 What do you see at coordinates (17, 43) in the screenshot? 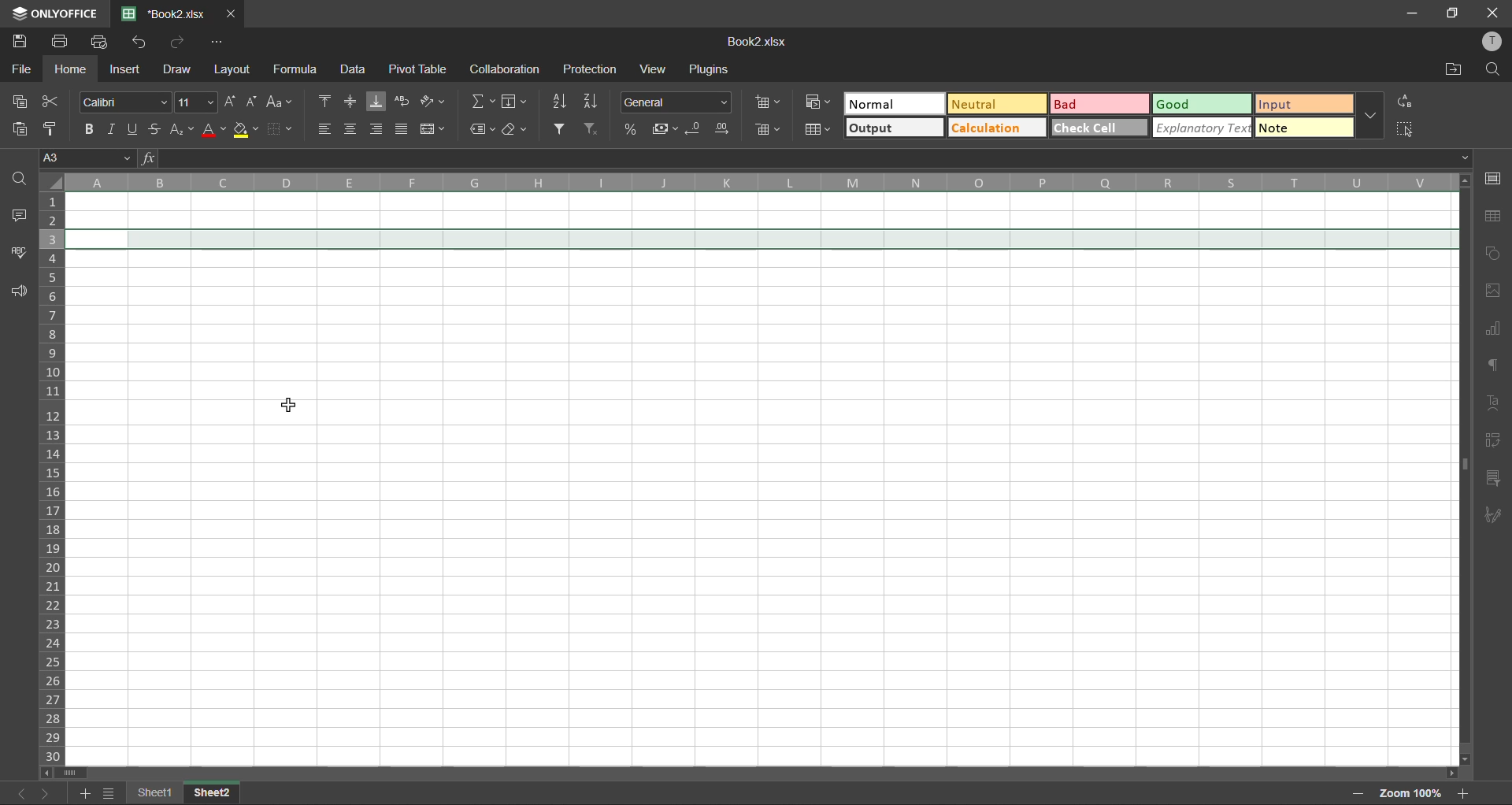
I see `save` at bounding box center [17, 43].